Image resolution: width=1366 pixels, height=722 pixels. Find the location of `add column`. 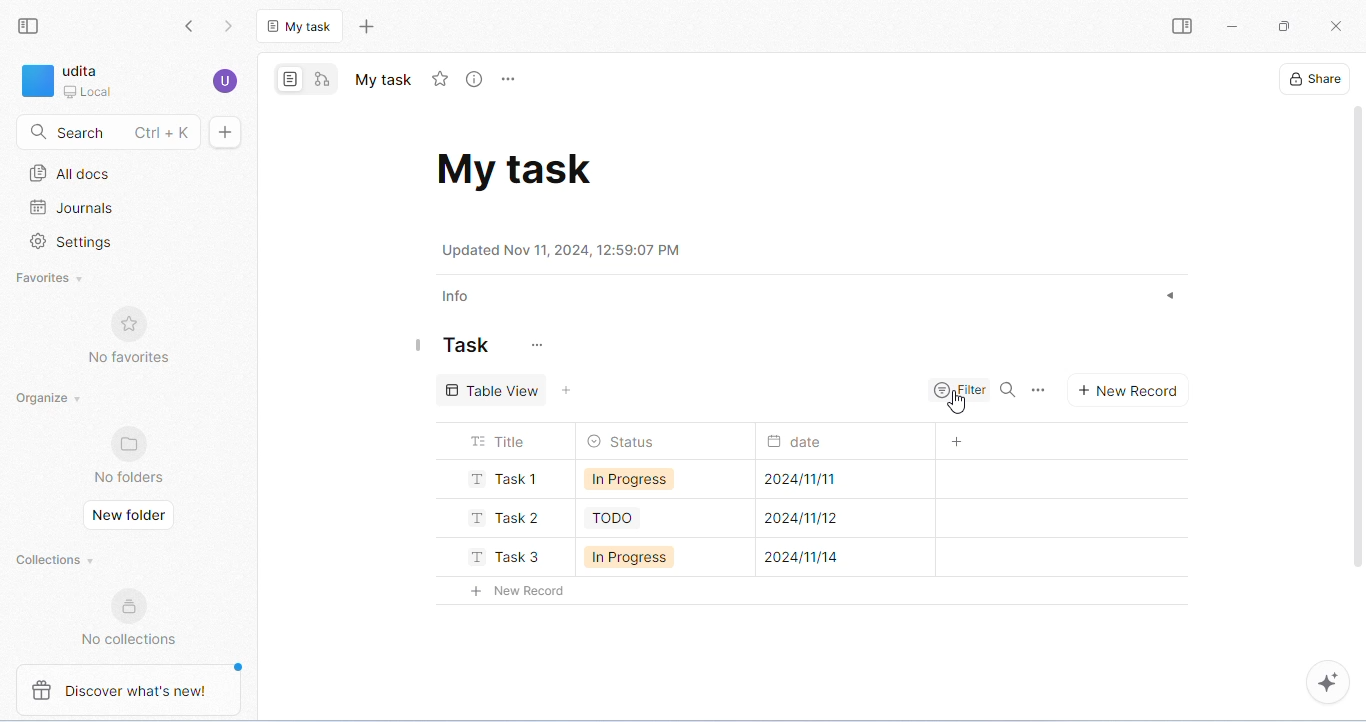

add column is located at coordinates (954, 441).